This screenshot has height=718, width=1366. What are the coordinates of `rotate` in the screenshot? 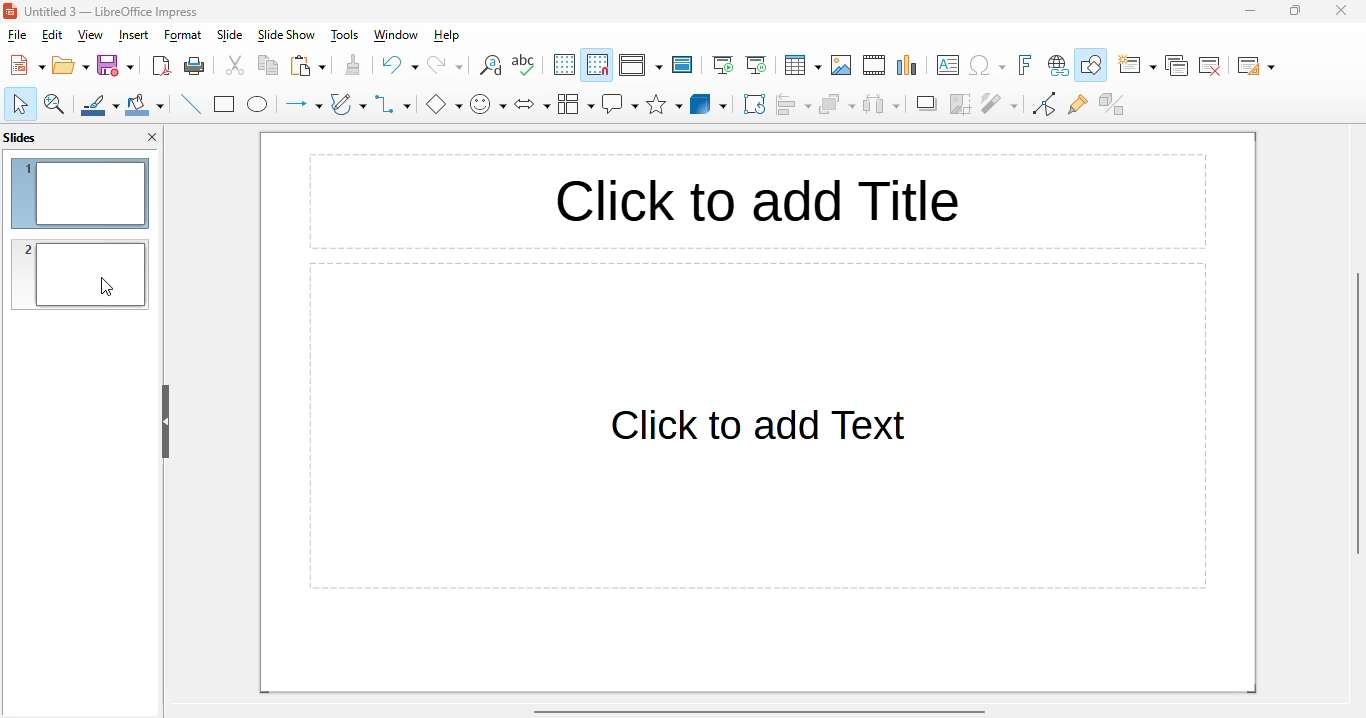 It's located at (755, 103).